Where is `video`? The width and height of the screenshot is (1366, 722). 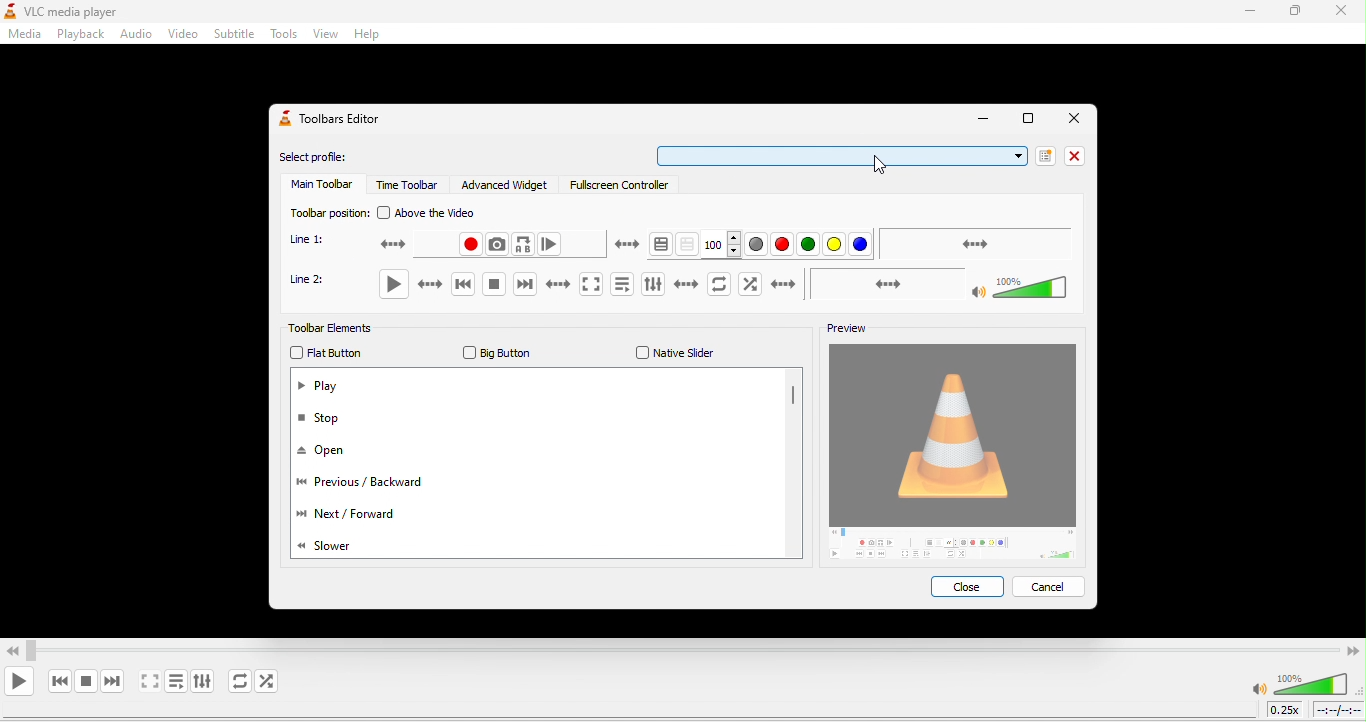
video is located at coordinates (184, 34).